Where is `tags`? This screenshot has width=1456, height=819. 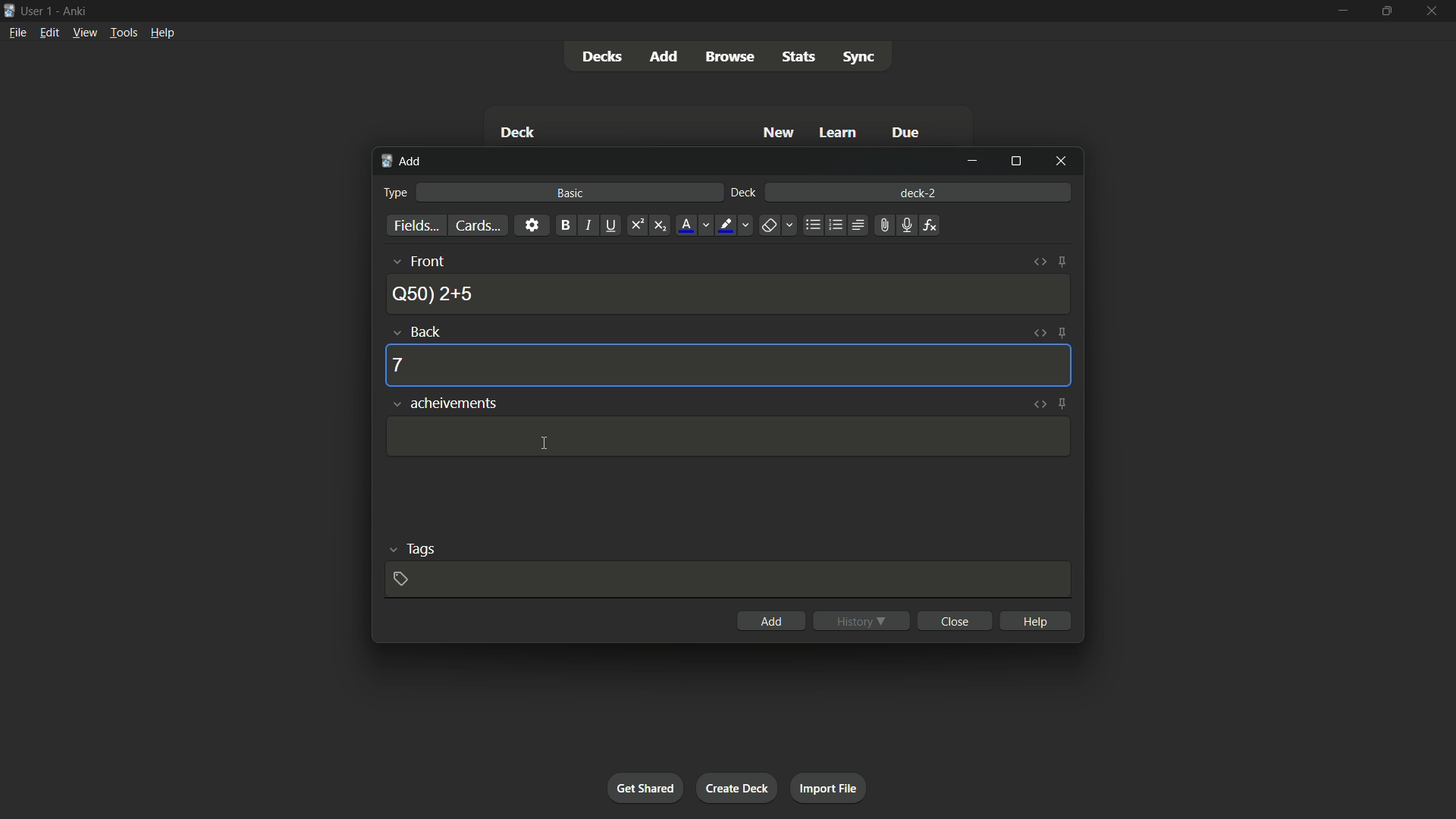 tags is located at coordinates (413, 548).